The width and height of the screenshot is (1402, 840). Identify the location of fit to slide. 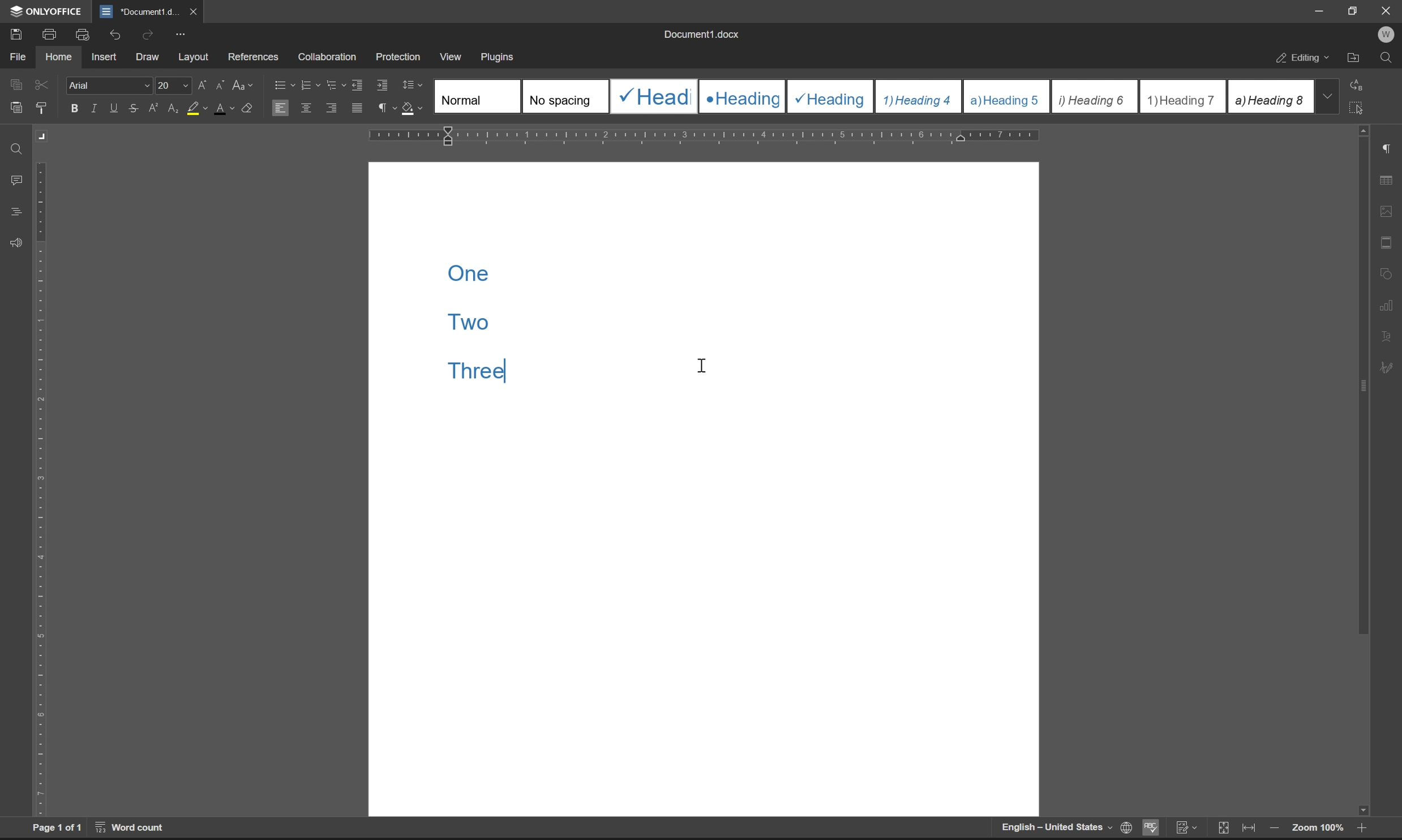
(1223, 829).